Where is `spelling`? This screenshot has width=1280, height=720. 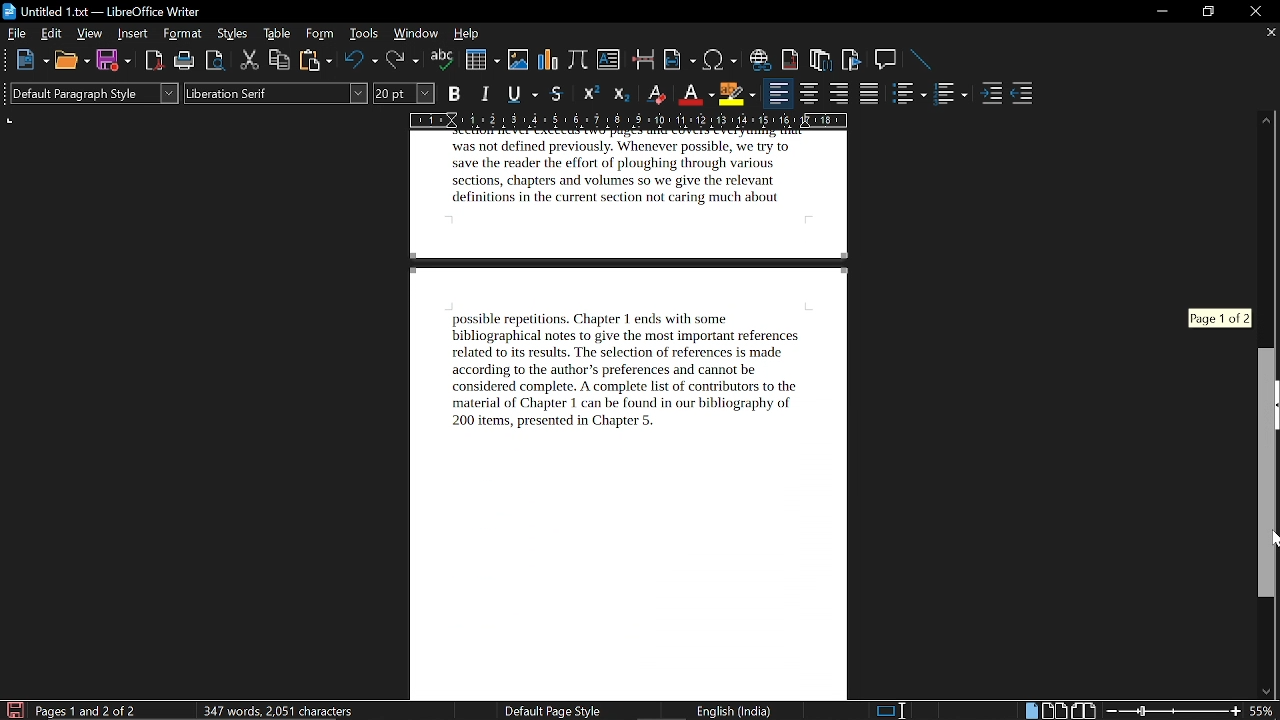
spelling is located at coordinates (443, 61).